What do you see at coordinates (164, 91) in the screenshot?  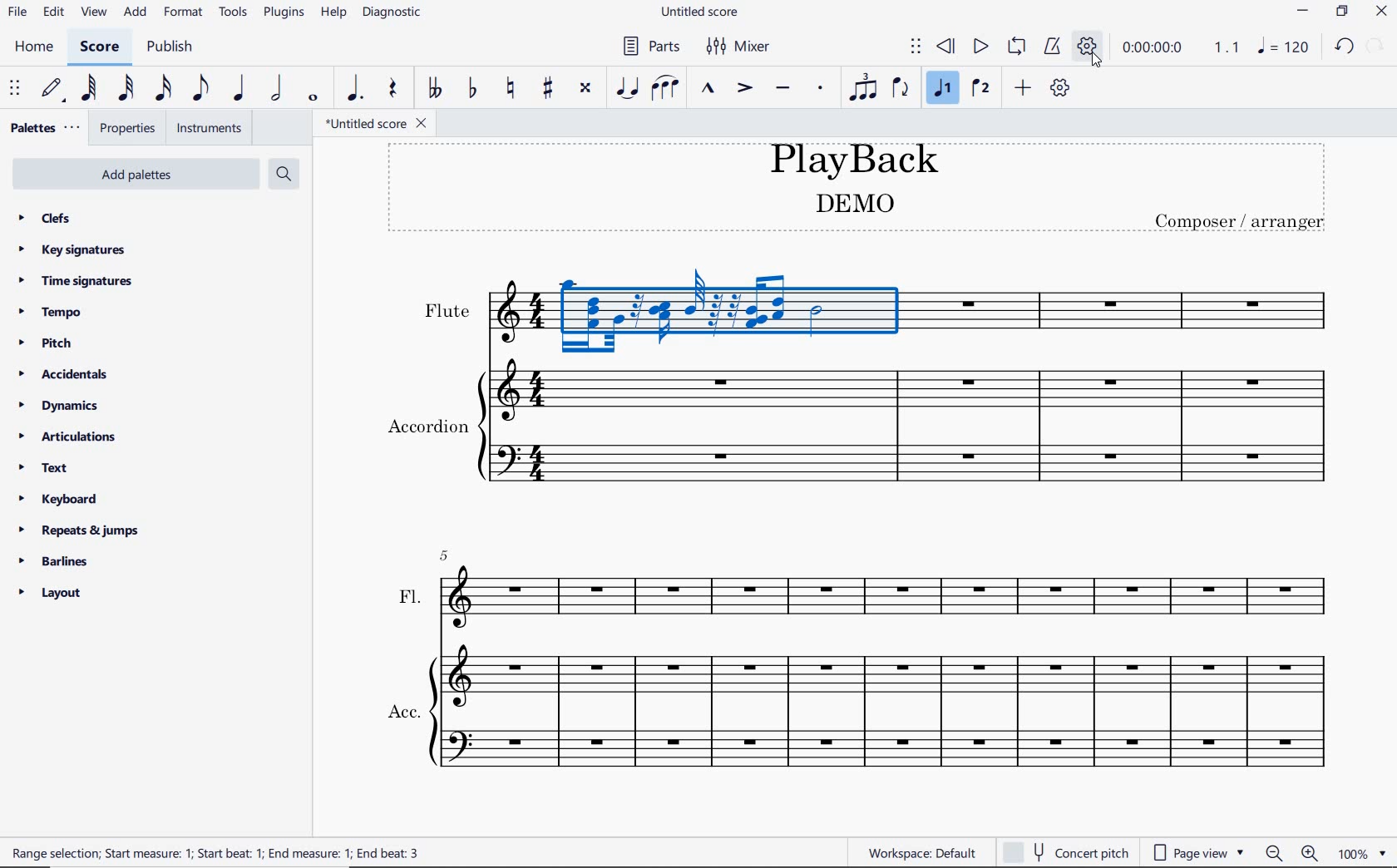 I see `16th note` at bounding box center [164, 91].